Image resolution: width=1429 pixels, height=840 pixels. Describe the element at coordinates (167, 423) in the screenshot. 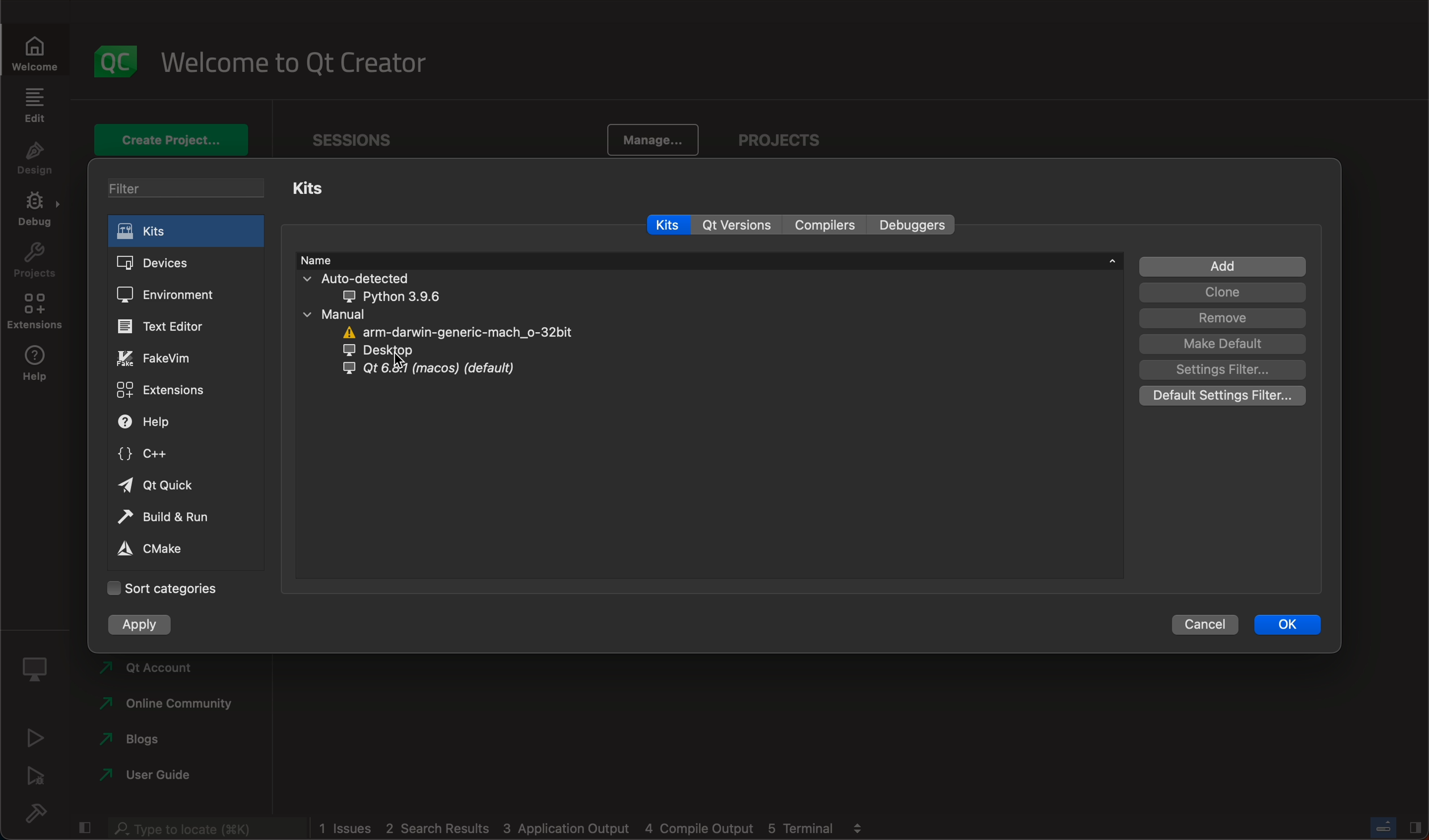

I see `help` at that location.